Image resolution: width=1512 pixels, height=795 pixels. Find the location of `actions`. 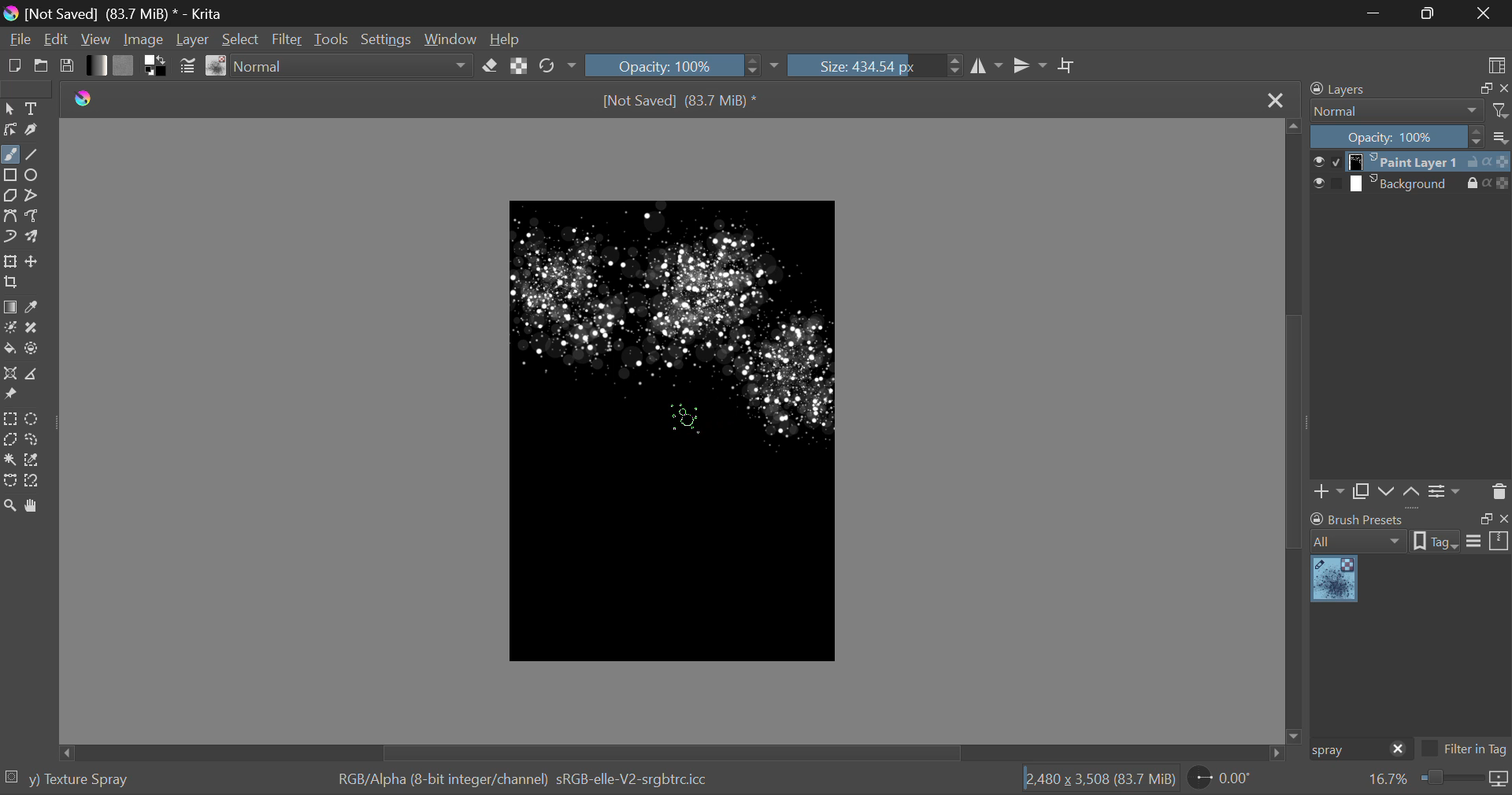

actions is located at coordinates (1488, 162).